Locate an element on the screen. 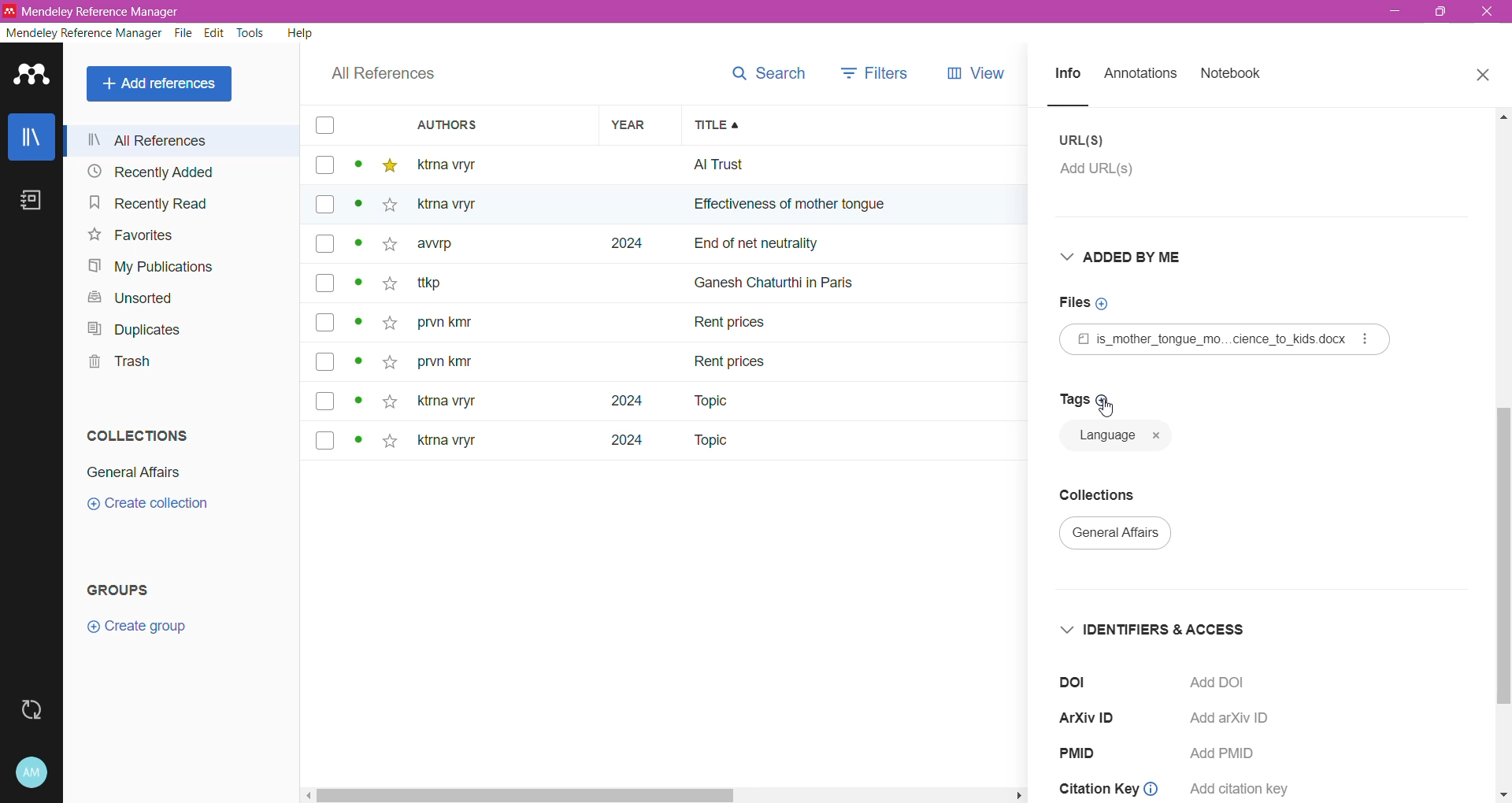  Duplicates is located at coordinates (135, 329).